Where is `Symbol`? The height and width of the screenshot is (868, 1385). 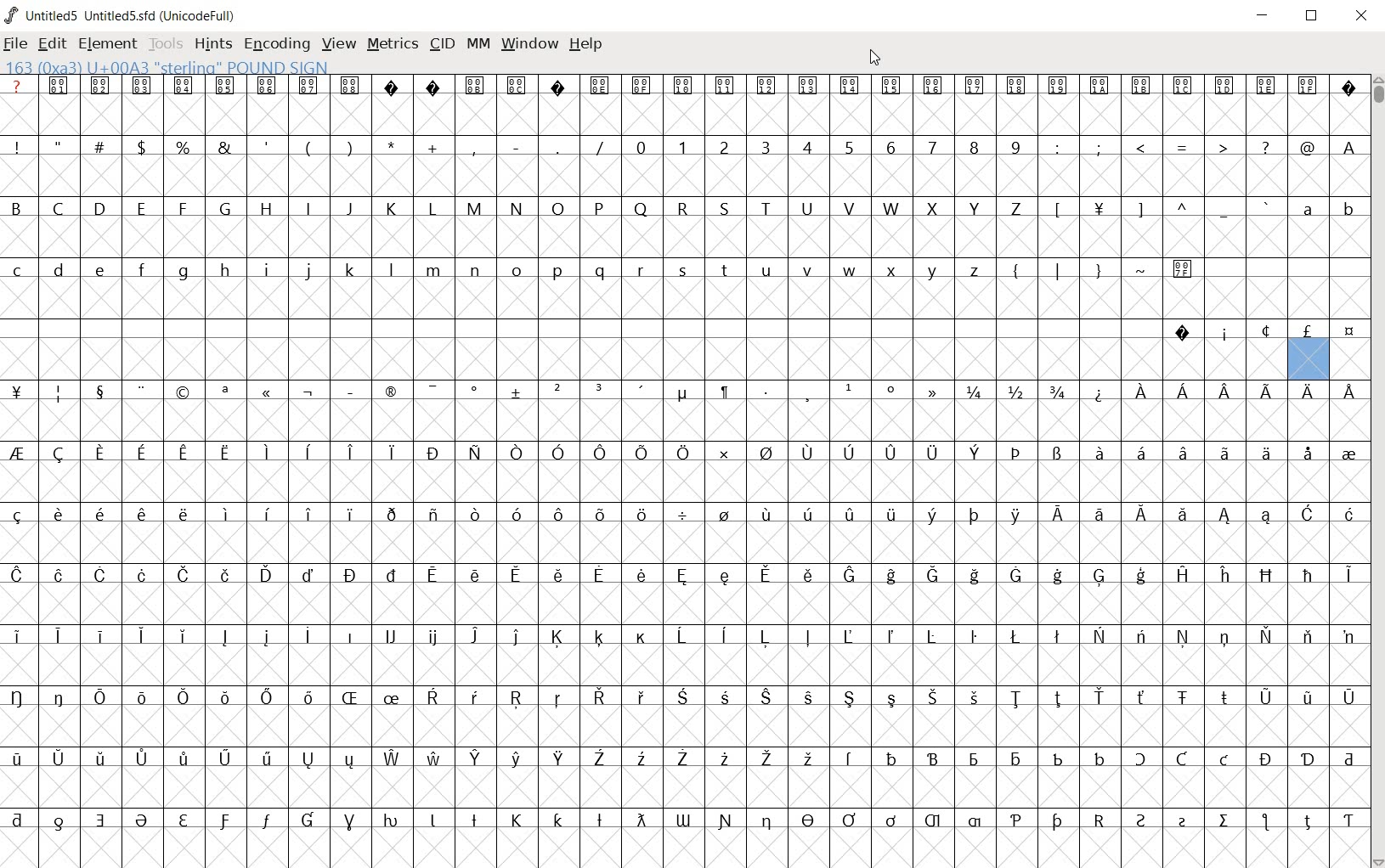
Symbol is located at coordinates (936, 391).